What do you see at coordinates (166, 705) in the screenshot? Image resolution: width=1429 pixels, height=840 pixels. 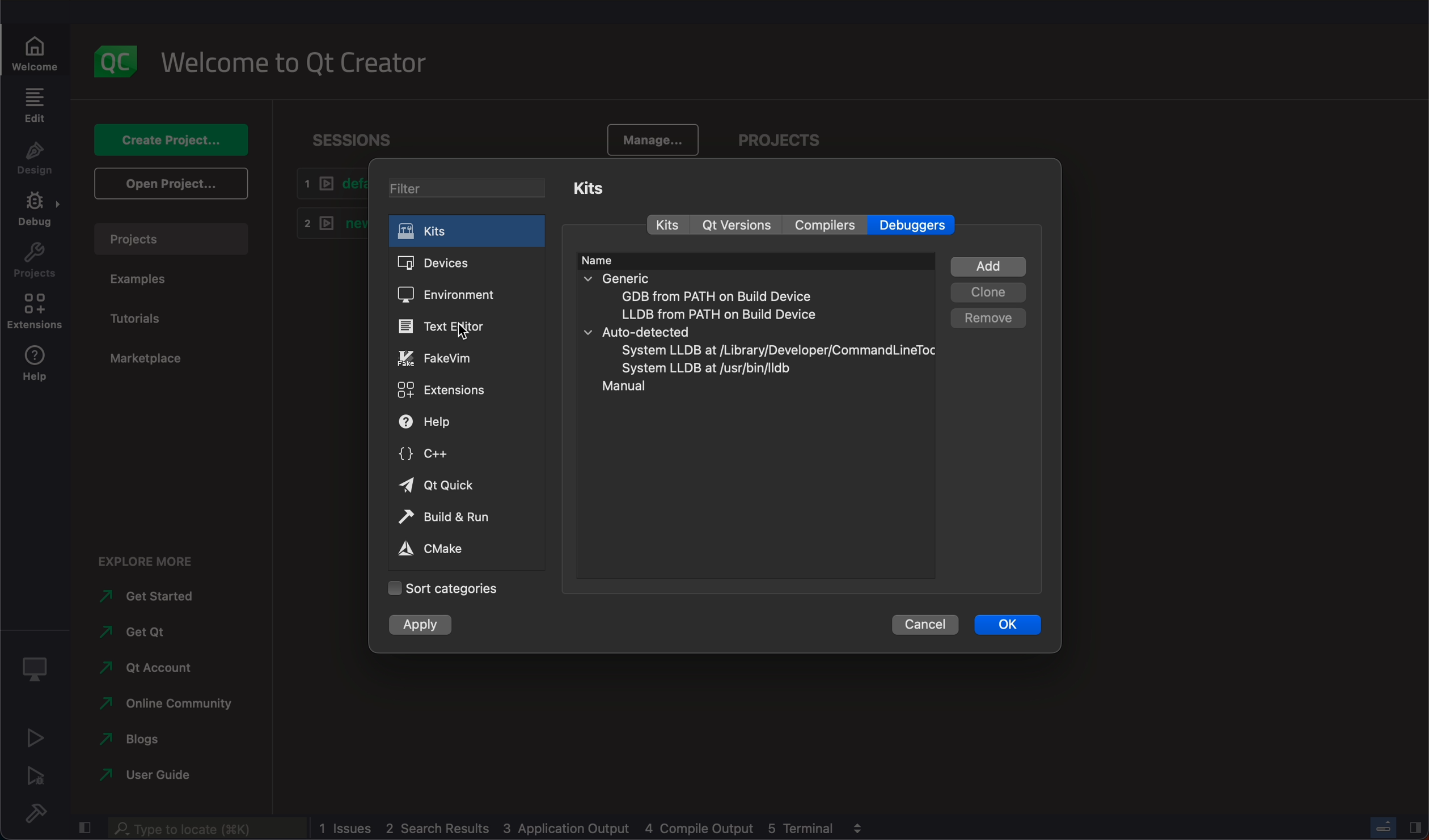 I see `online community` at bounding box center [166, 705].